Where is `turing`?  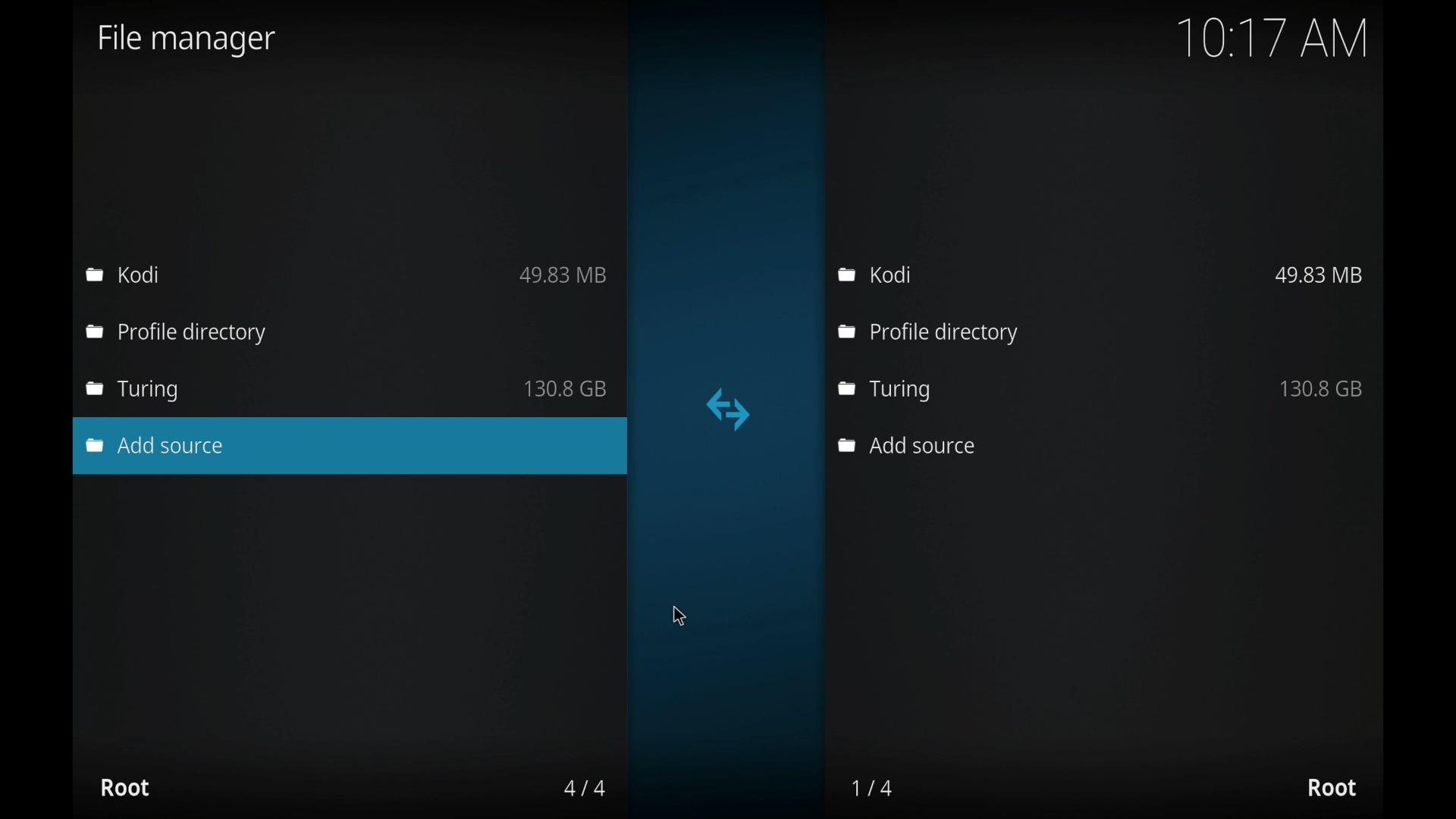
turing is located at coordinates (133, 391).